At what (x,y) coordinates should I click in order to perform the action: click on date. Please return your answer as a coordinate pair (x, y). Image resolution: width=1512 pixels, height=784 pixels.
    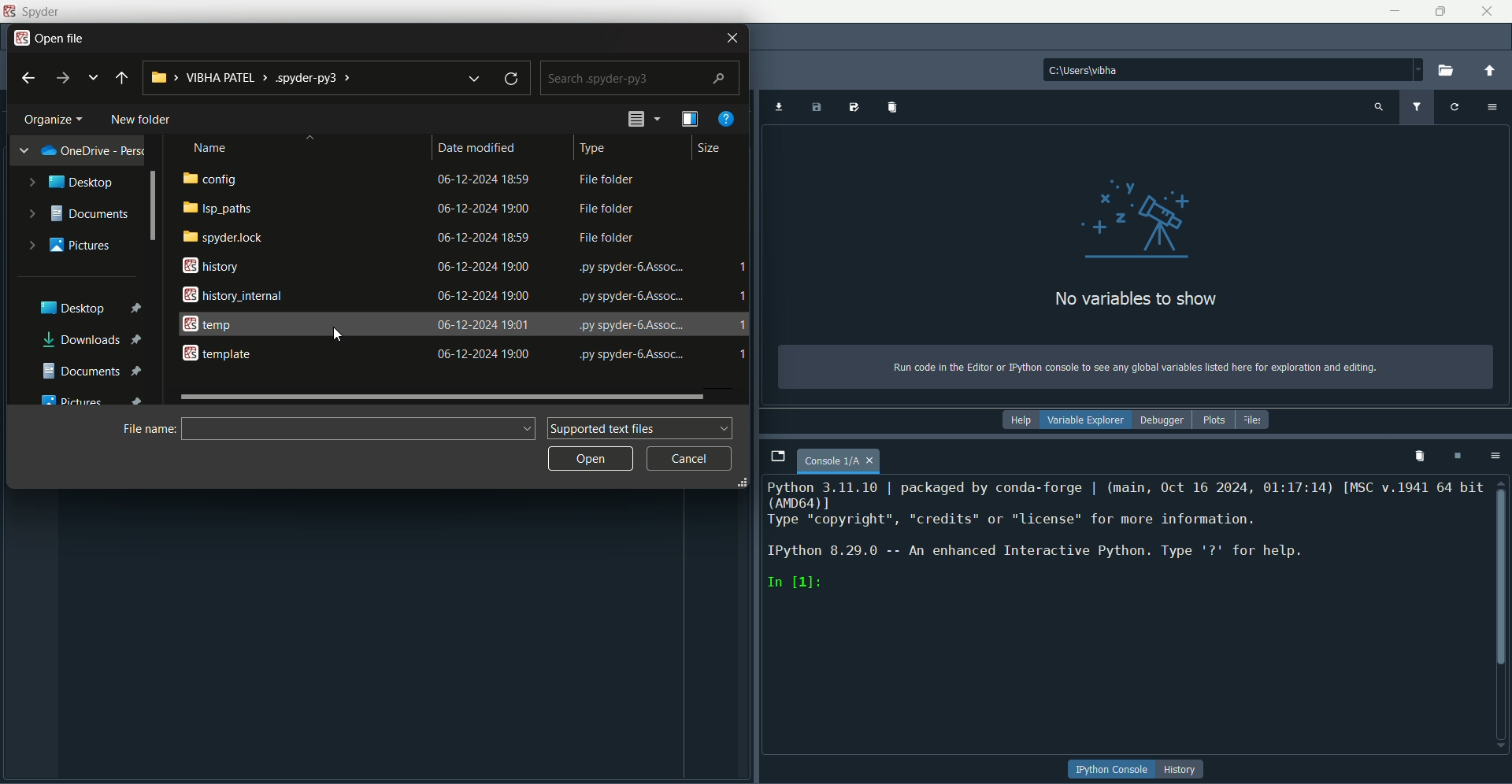
    Looking at the image, I should click on (484, 237).